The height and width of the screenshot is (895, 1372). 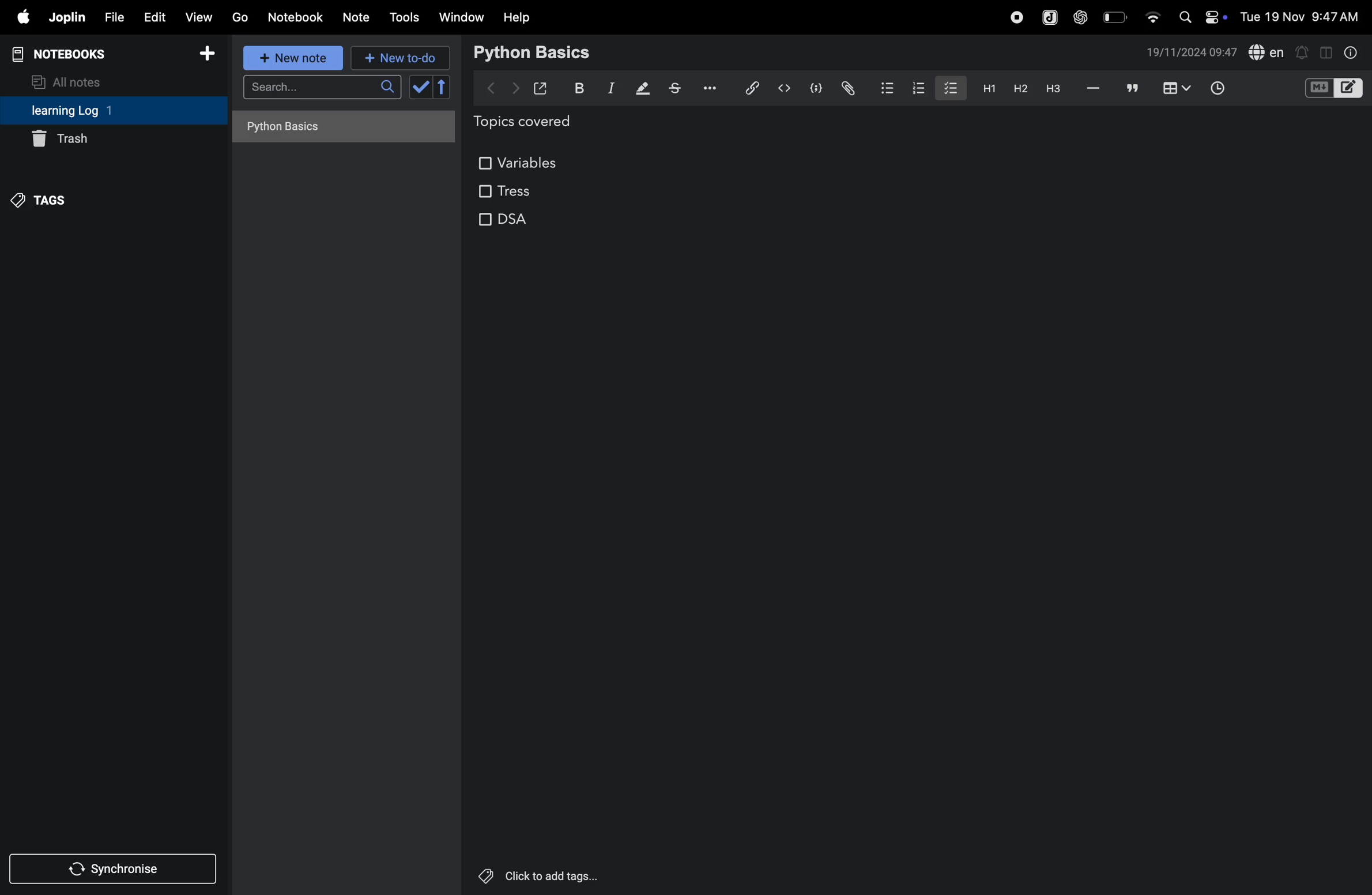 I want to click on open, so click(x=541, y=88).